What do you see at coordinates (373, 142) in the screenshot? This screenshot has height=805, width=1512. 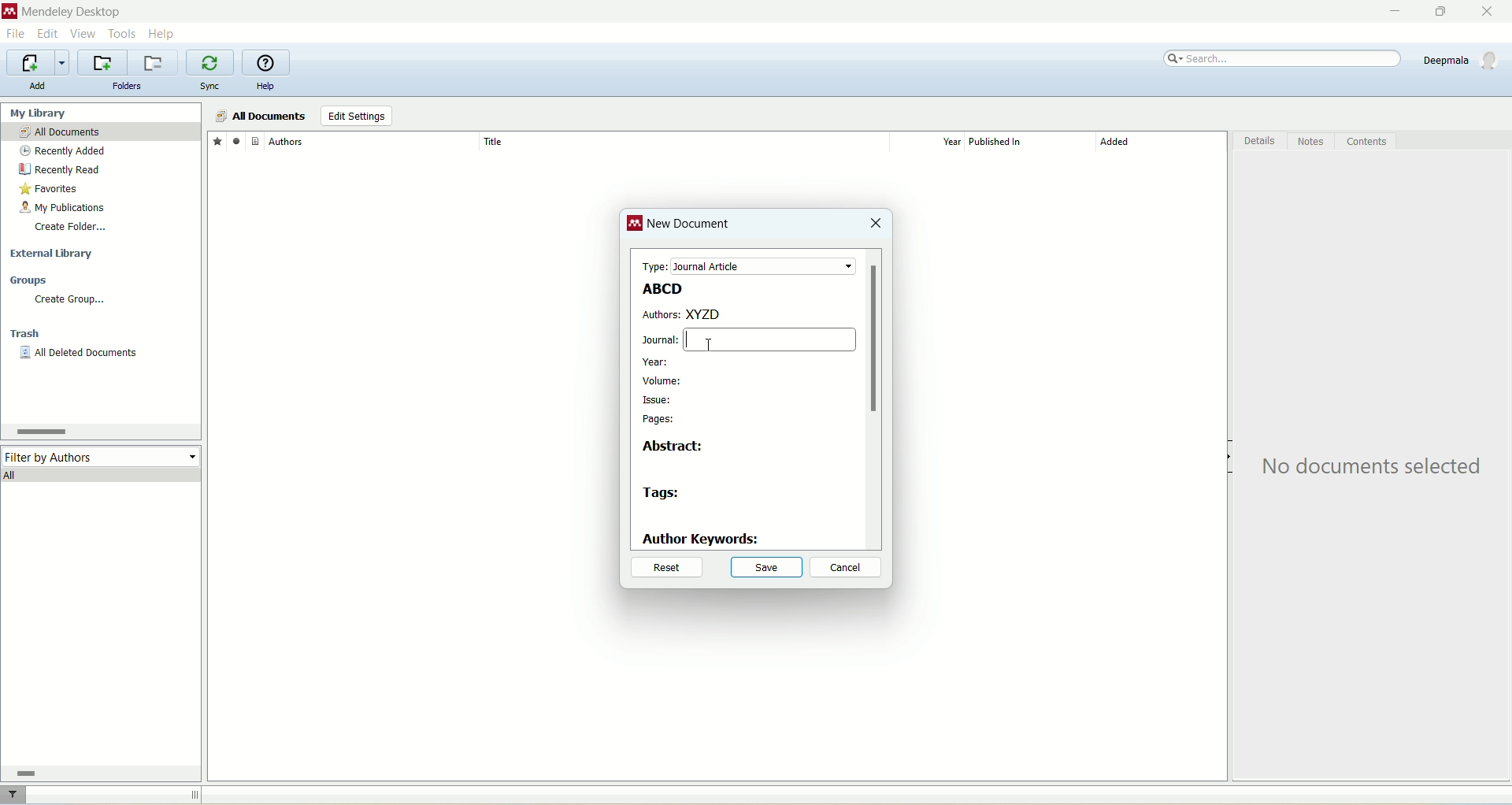 I see `author` at bounding box center [373, 142].